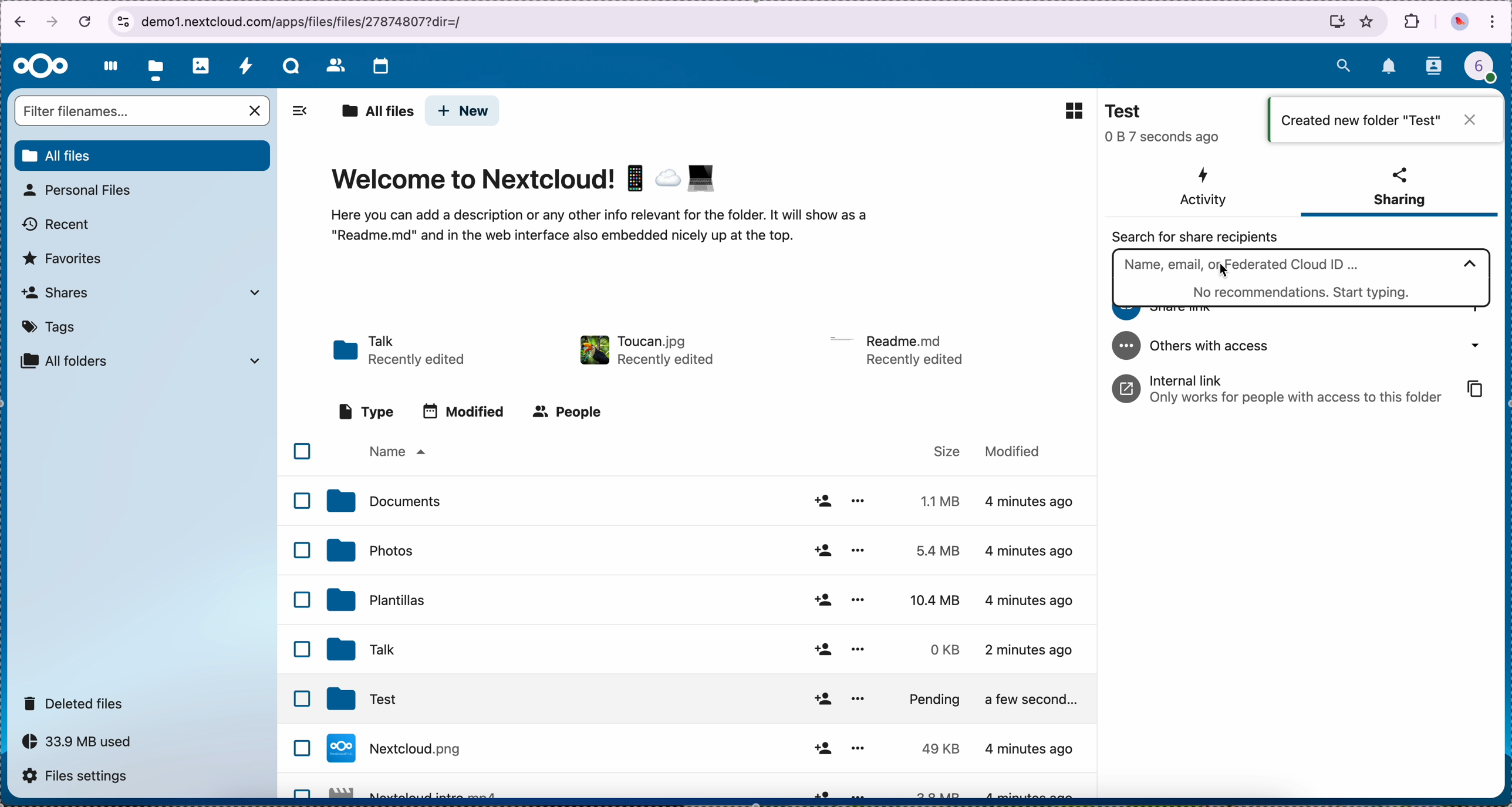 The height and width of the screenshot is (807, 1512). I want to click on type, so click(366, 411).